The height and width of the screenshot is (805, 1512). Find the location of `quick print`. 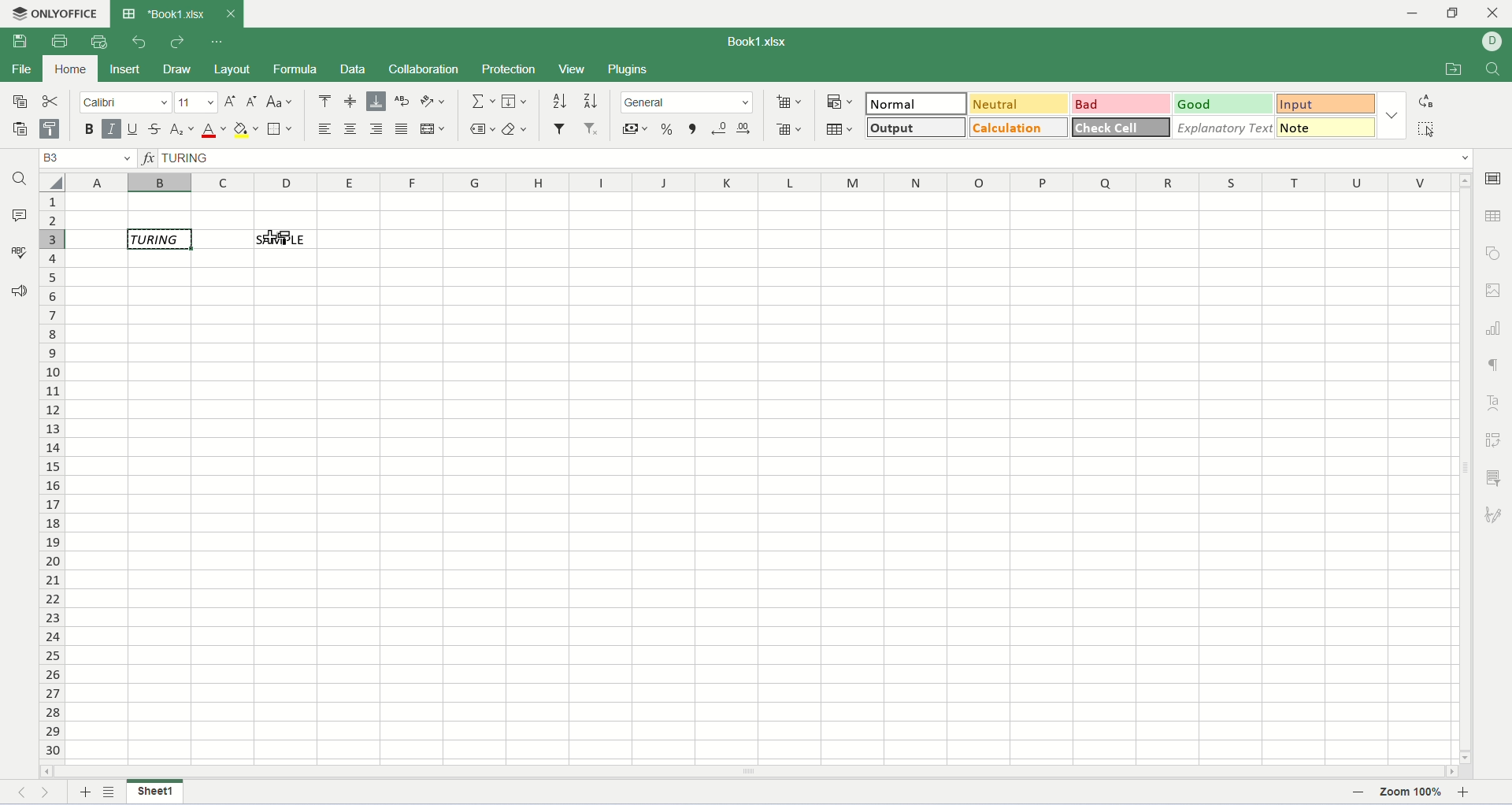

quick print is located at coordinates (101, 42).